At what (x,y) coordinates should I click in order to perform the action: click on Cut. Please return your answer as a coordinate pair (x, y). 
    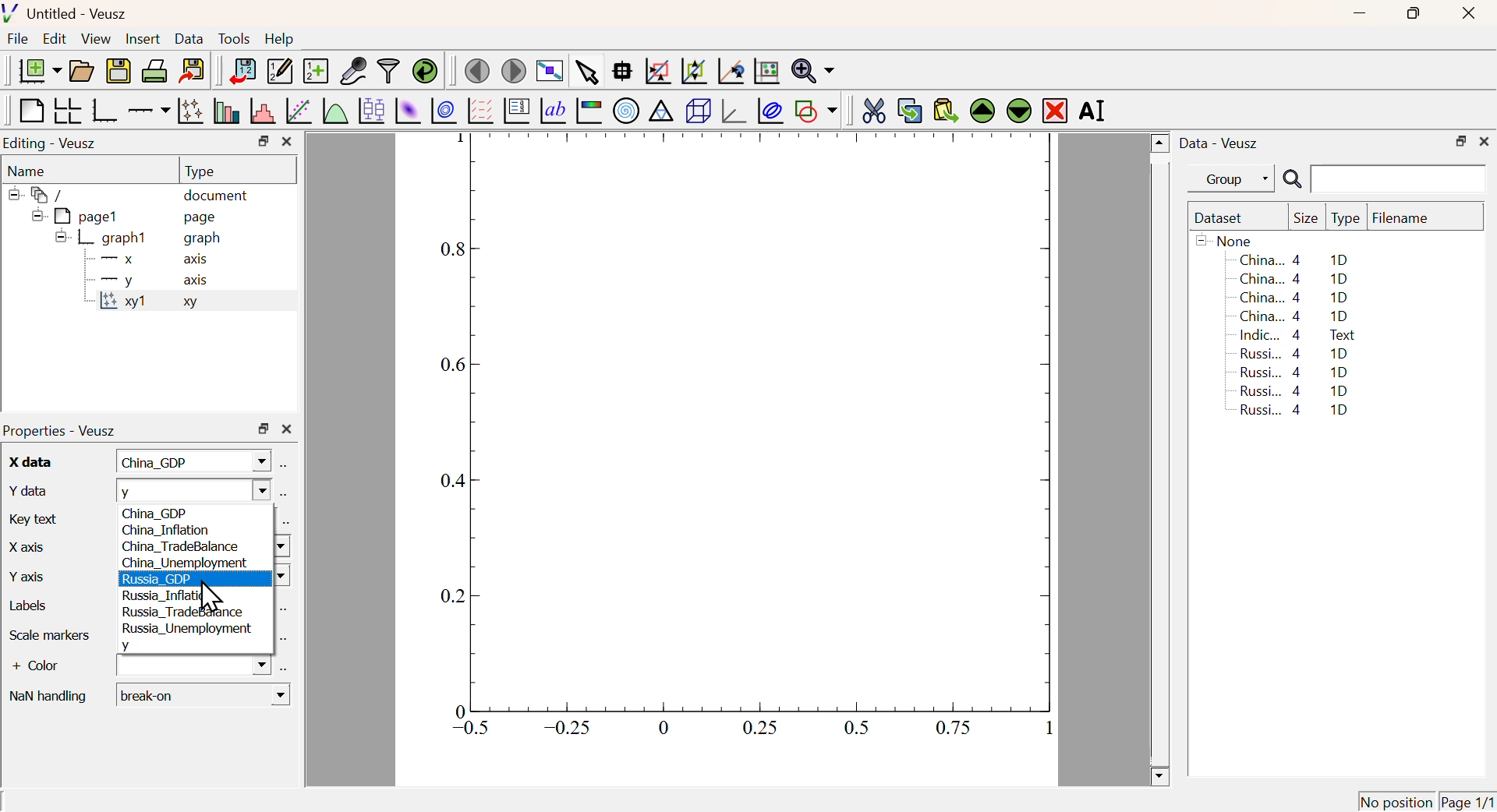
    Looking at the image, I should click on (873, 109).